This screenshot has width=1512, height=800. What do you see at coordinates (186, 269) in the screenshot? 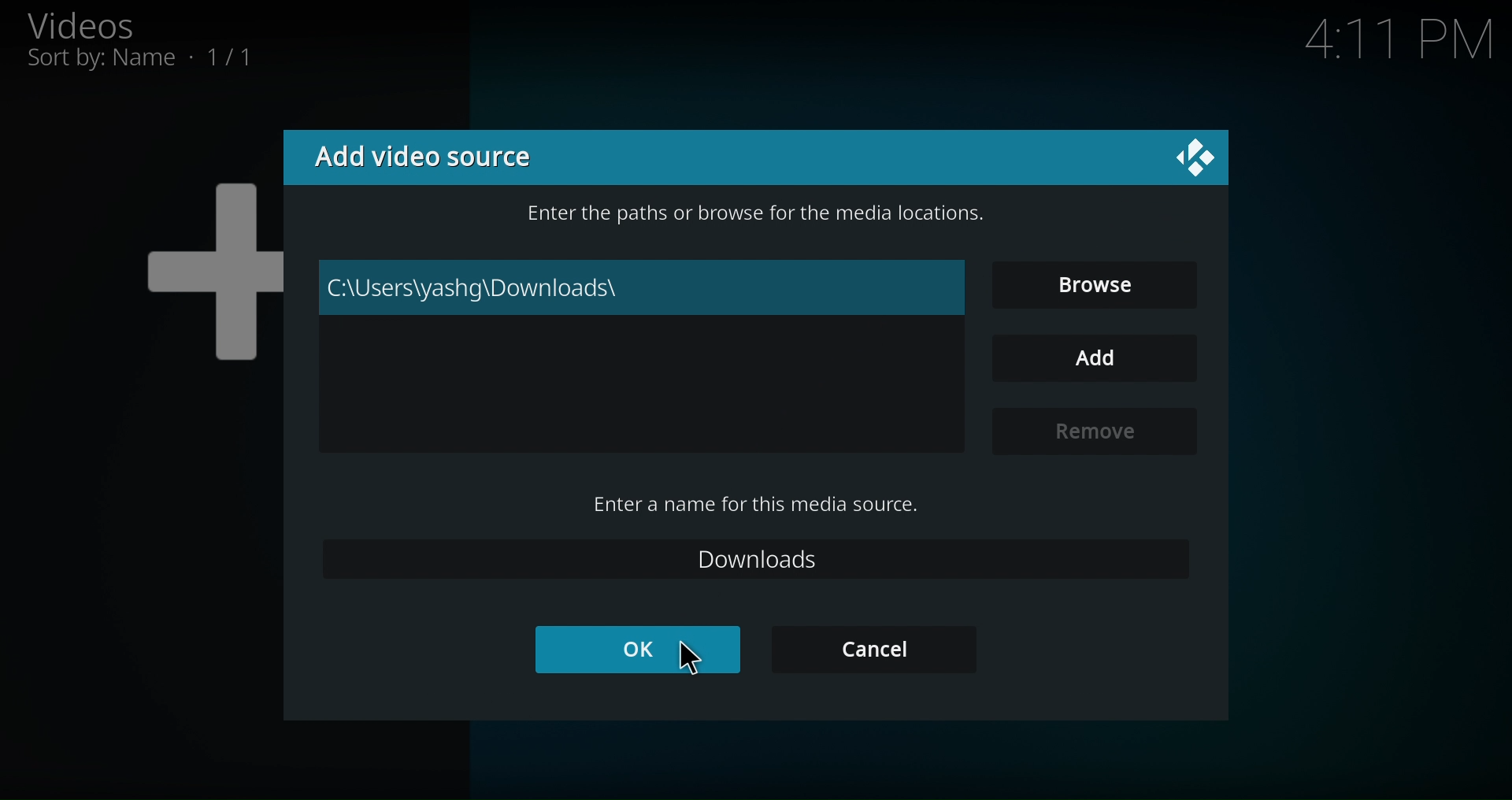
I see `Plus icon` at bounding box center [186, 269].